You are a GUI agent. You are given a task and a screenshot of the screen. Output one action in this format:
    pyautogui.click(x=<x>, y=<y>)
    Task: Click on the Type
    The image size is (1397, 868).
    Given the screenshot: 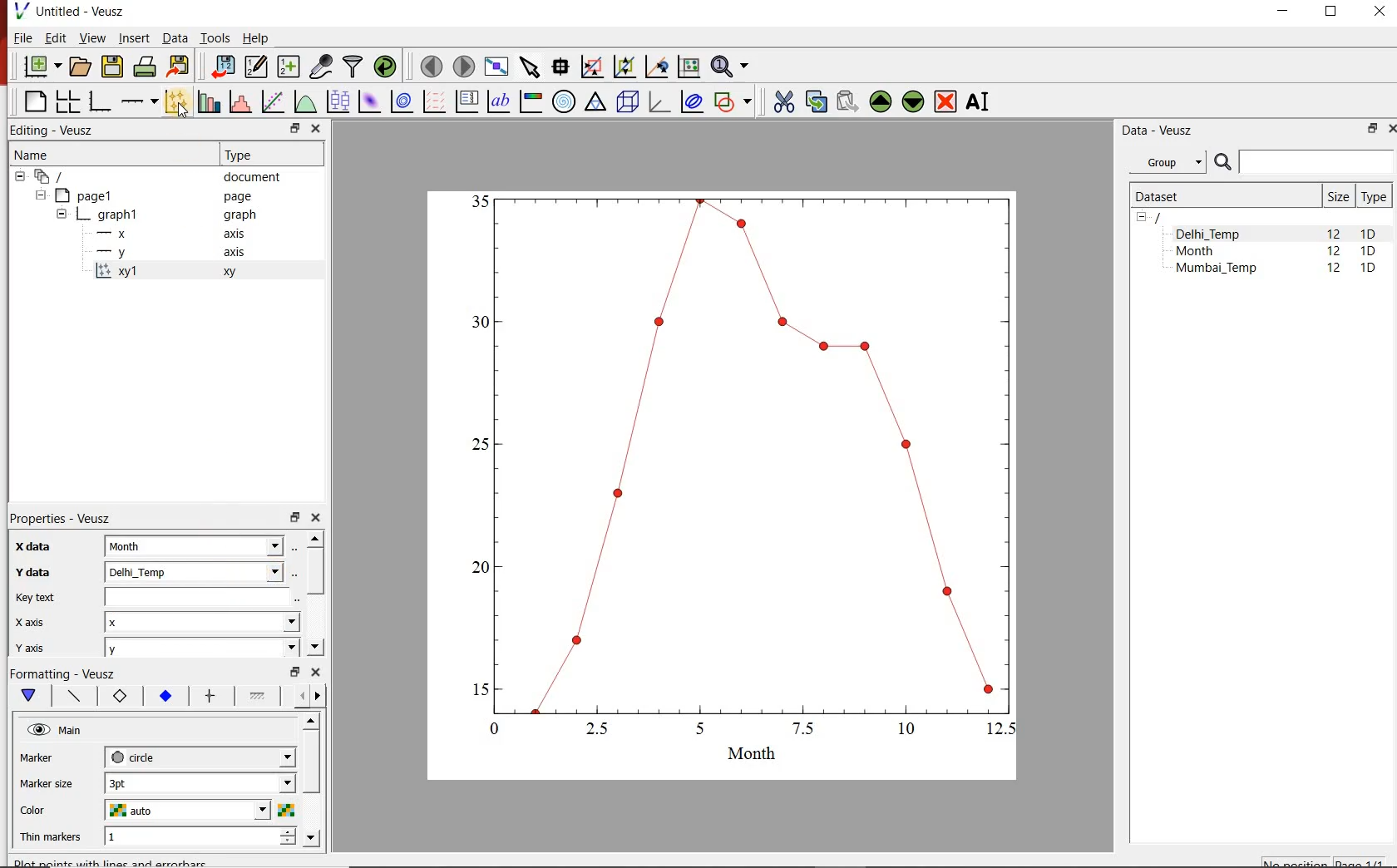 What is the action you would take?
    pyautogui.click(x=245, y=155)
    